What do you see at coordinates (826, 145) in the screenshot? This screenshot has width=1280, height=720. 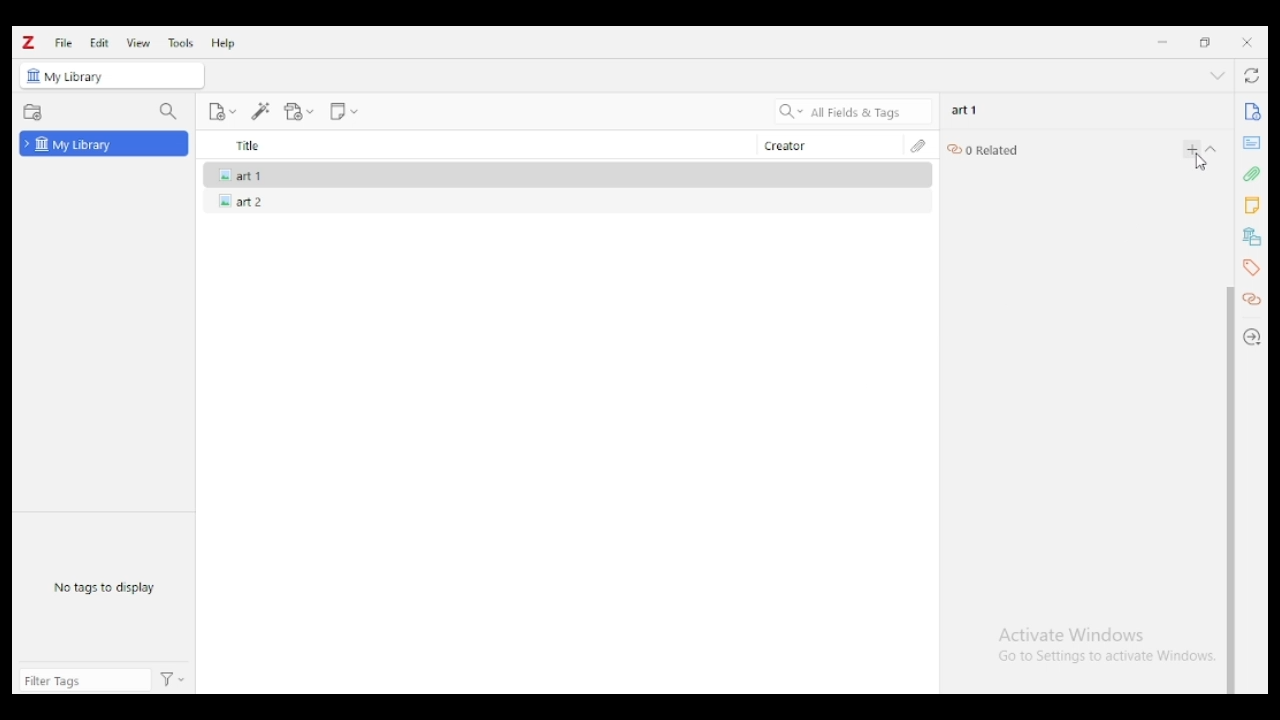 I see `creator` at bounding box center [826, 145].